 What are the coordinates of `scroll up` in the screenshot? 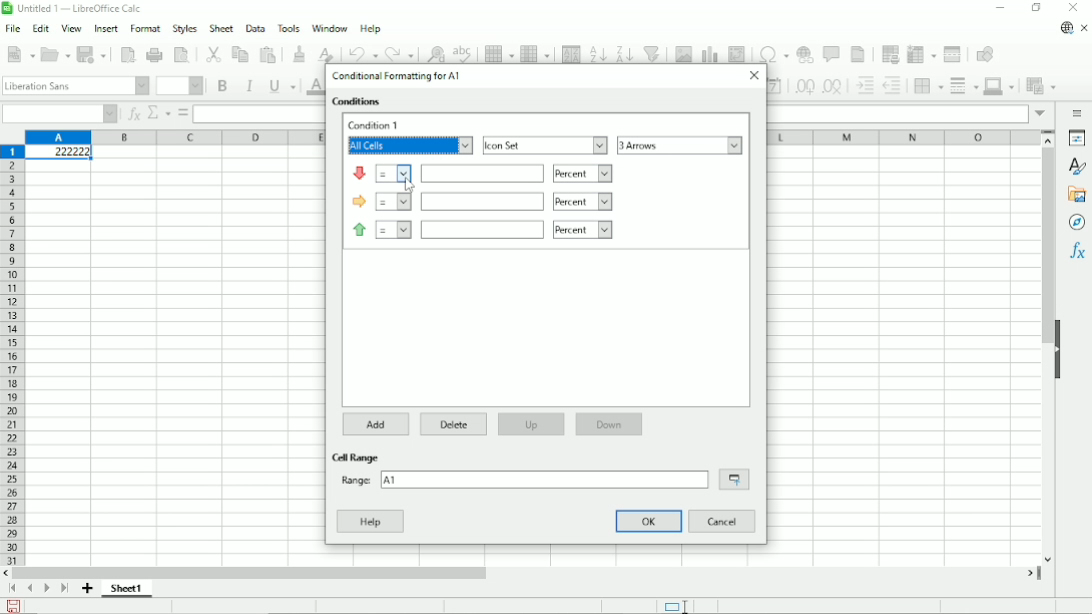 It's located at (1049, 139).